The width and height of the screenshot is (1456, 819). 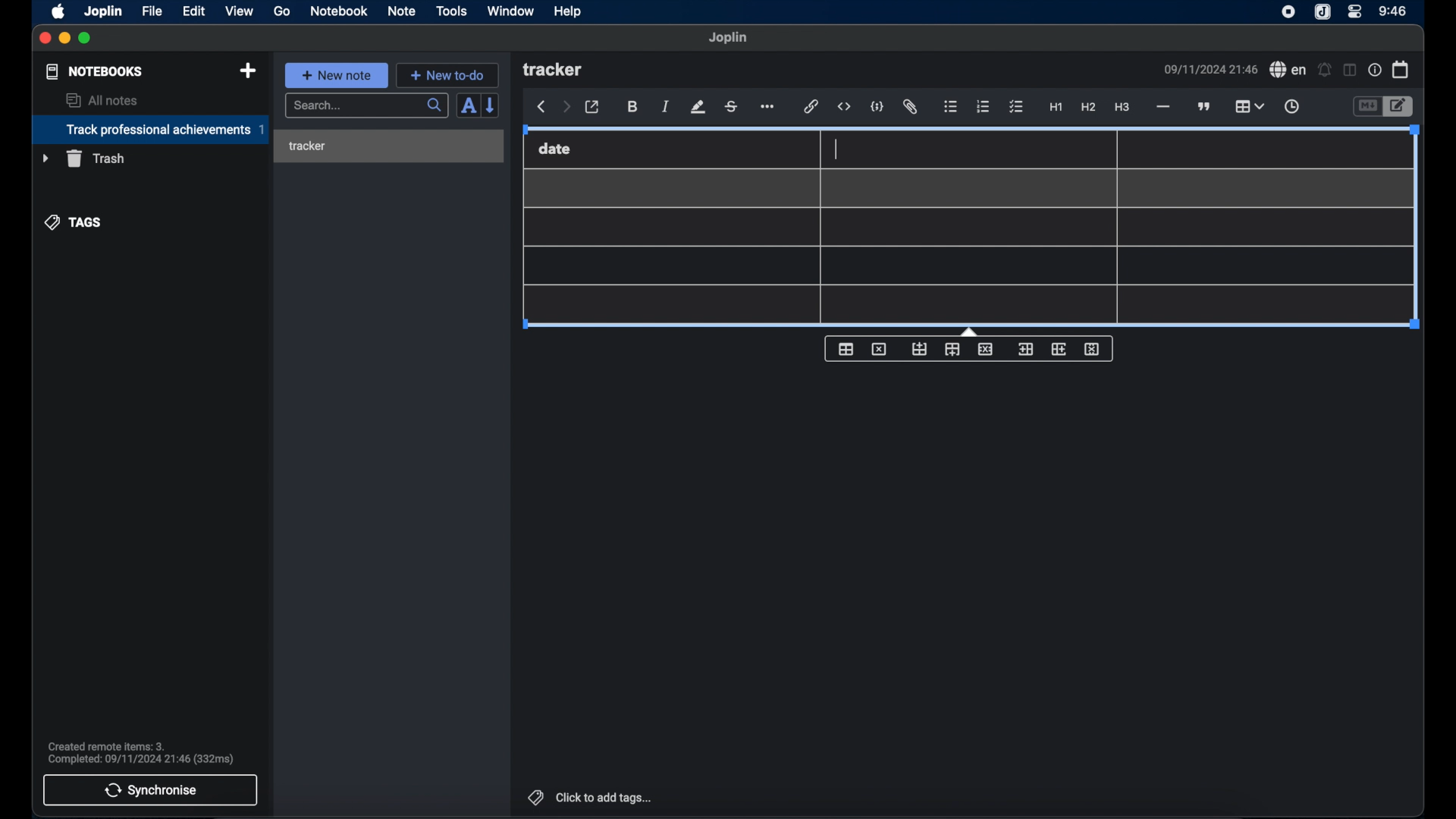 I want to click on click to add tags, so click(x=588, y=797).